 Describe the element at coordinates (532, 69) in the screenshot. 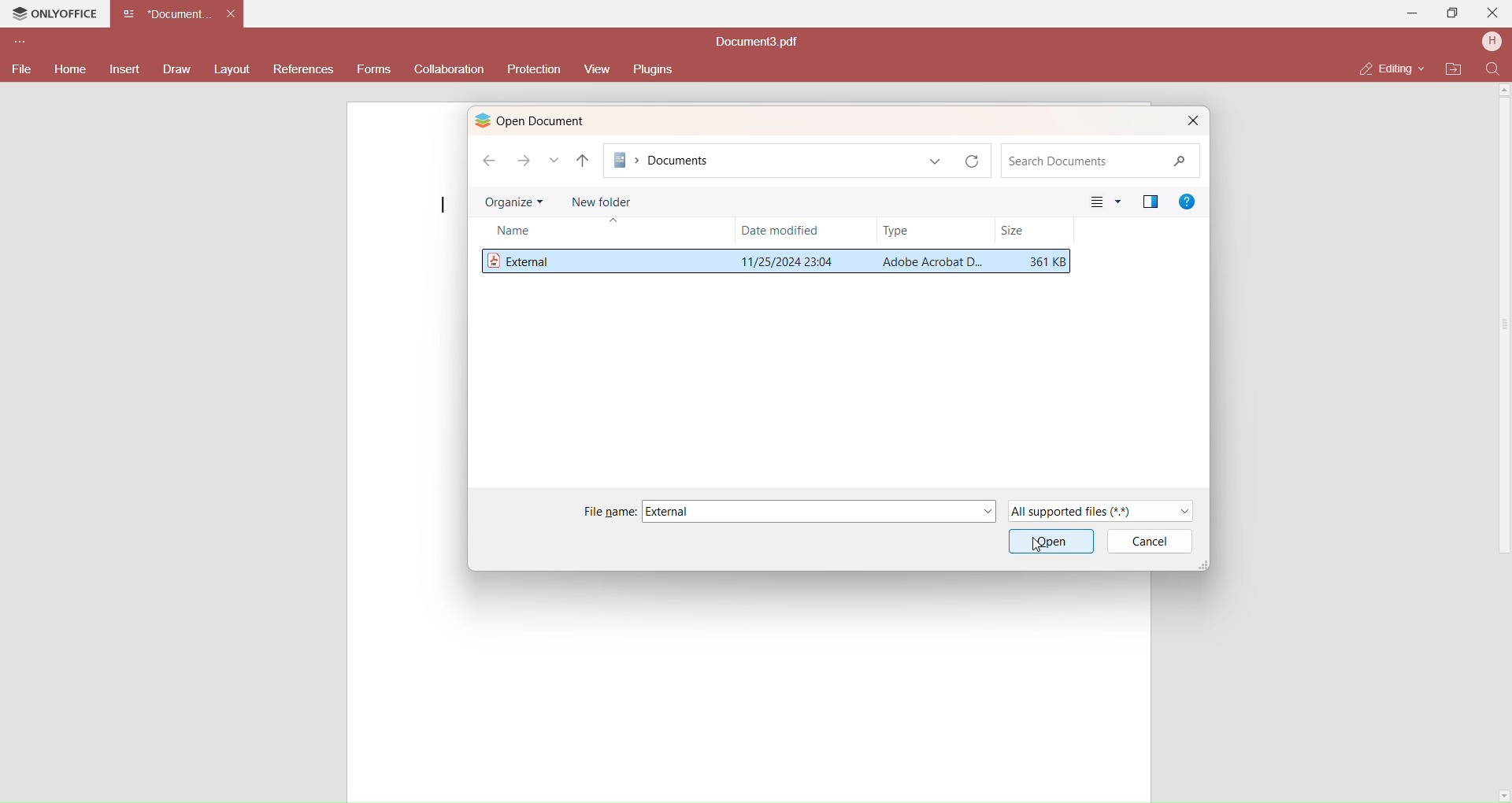

I see `Protection` at that location.